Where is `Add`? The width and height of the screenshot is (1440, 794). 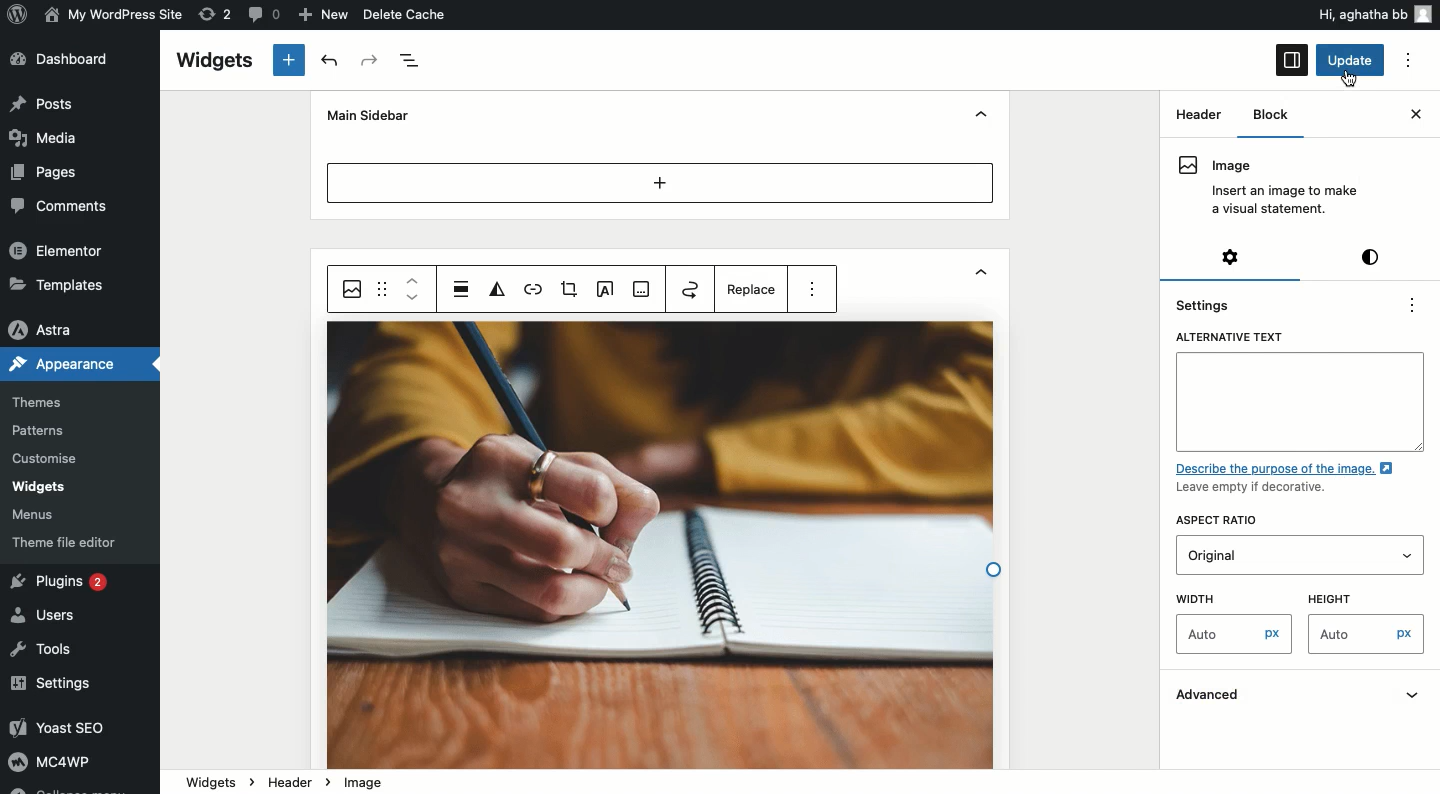 Add is located at coordinates (661, 182).